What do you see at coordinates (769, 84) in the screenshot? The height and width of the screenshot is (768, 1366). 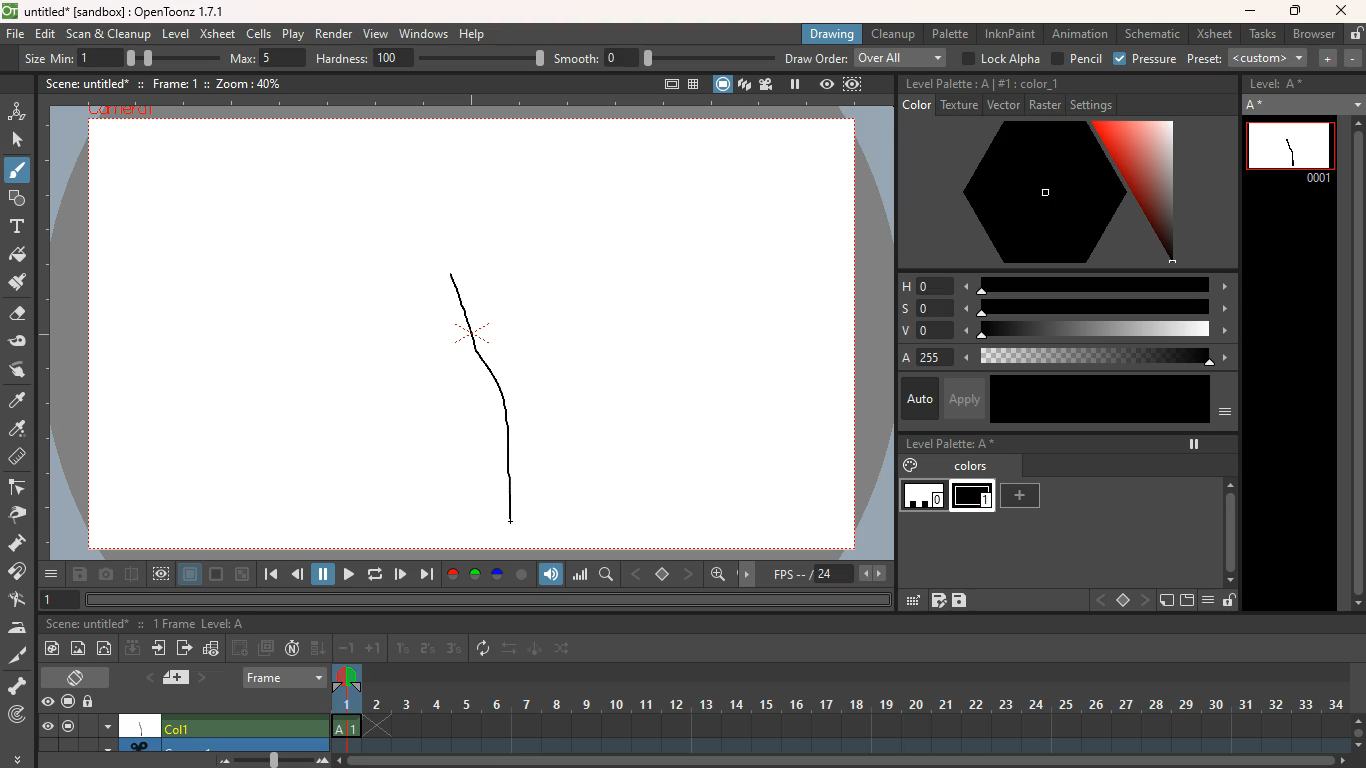 I see `film` at bounding box center [769, 84].